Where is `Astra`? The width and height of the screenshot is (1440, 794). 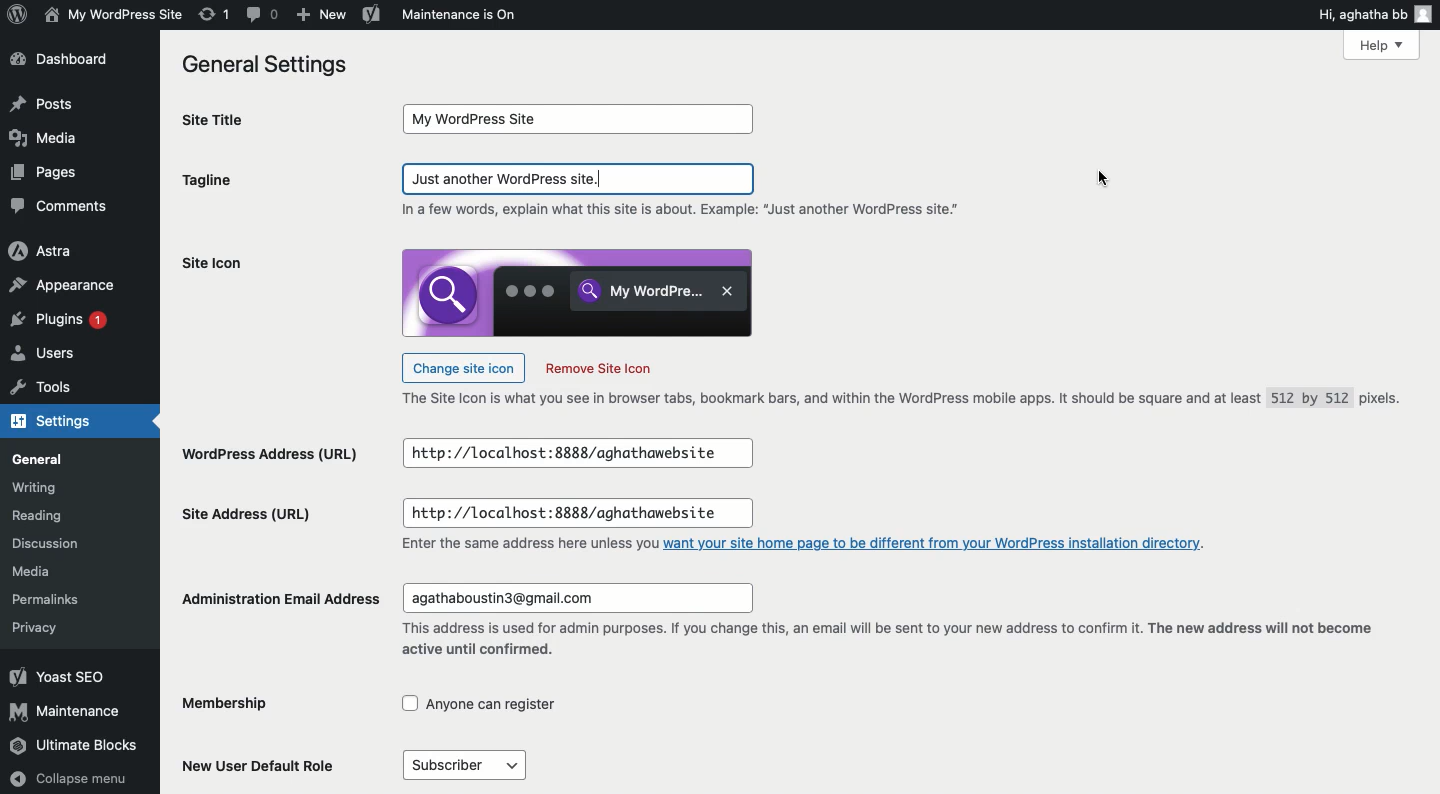
Astra is located at coordinates (42, 252).